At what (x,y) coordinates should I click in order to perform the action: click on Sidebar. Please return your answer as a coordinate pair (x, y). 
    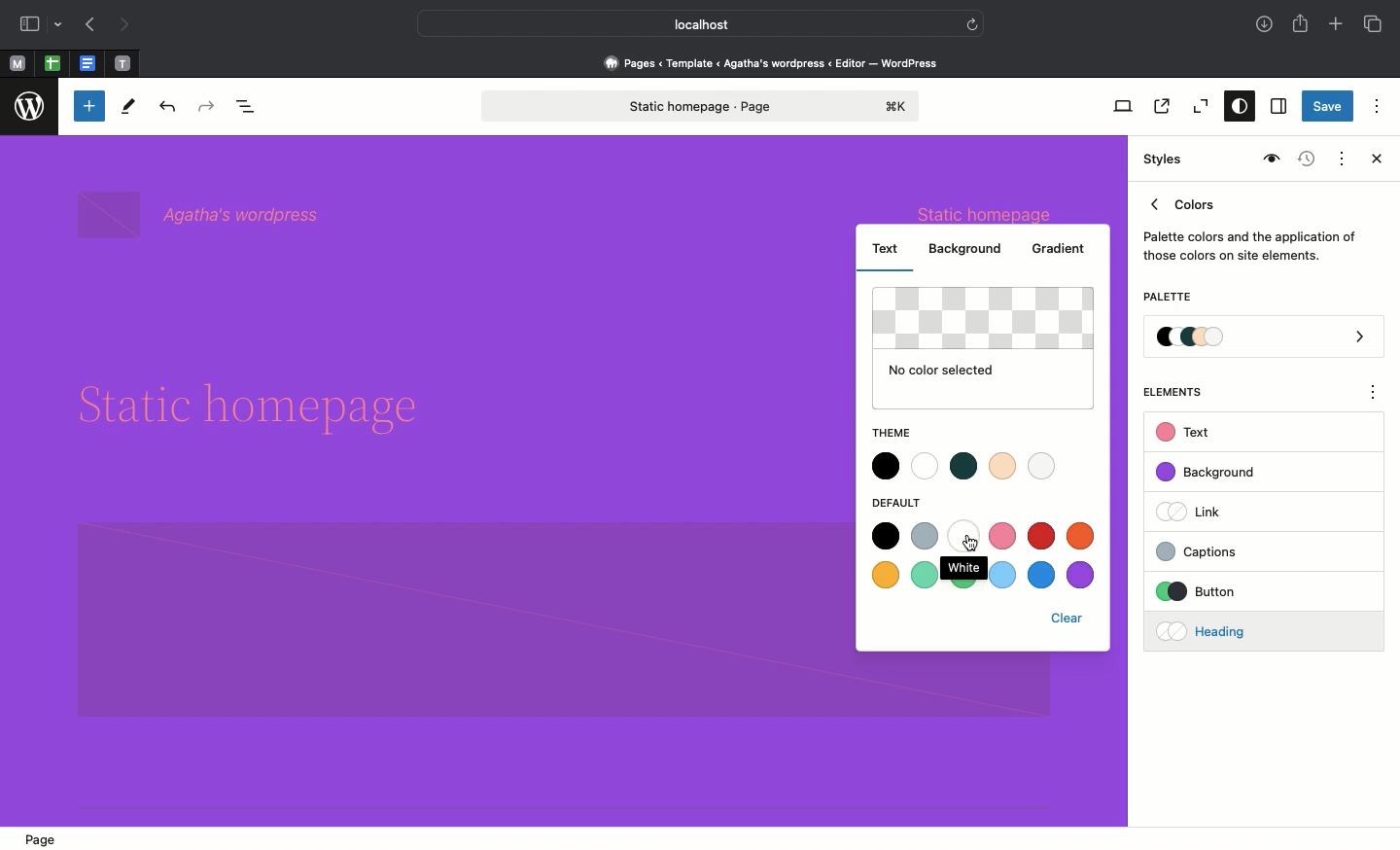
    Looking at the image, I should click on (29, 24).